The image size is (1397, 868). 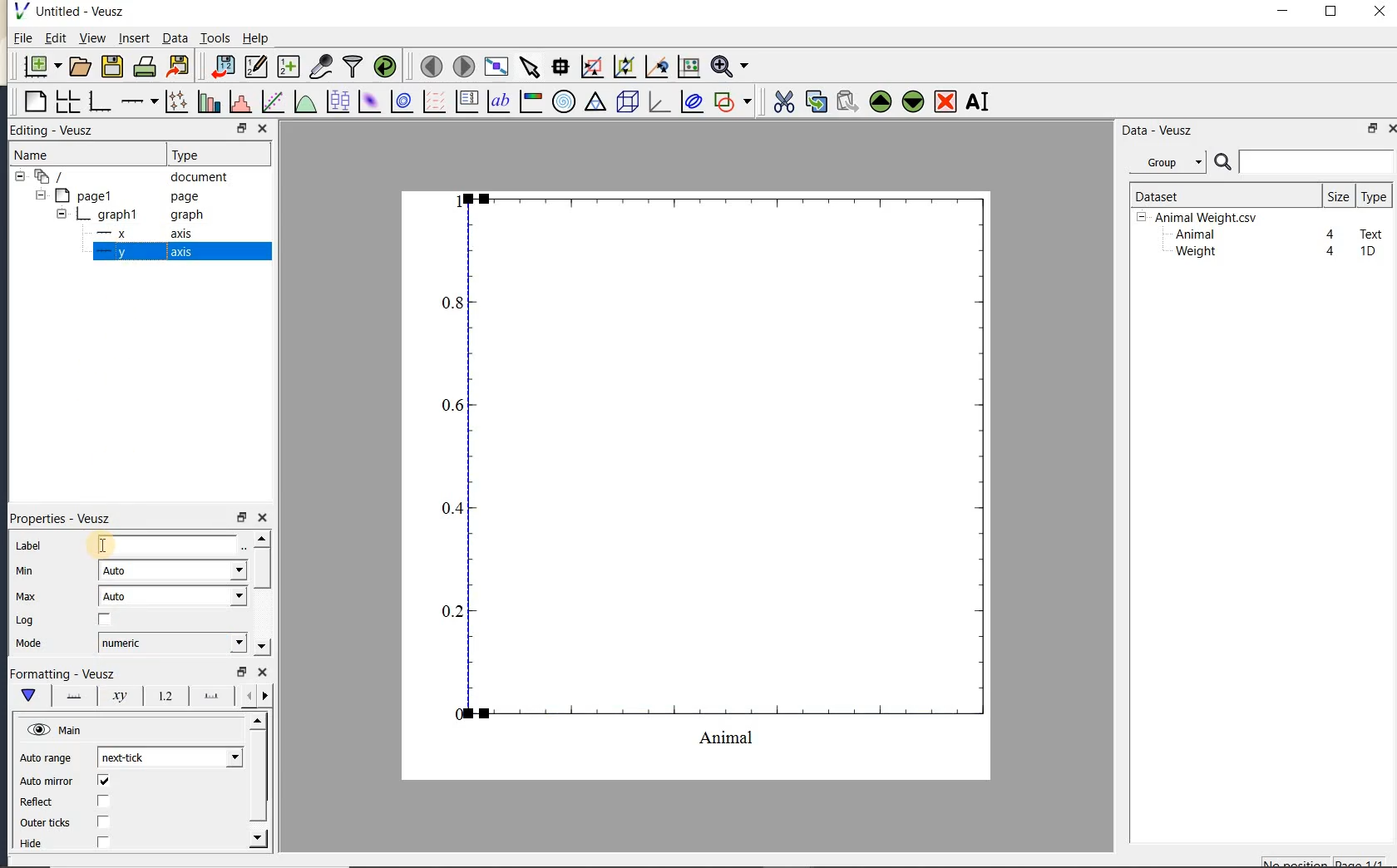 What do you see at coordinates (162, 695) in the screenshot?
I see `tick labels` at bounding box center [162, 695].